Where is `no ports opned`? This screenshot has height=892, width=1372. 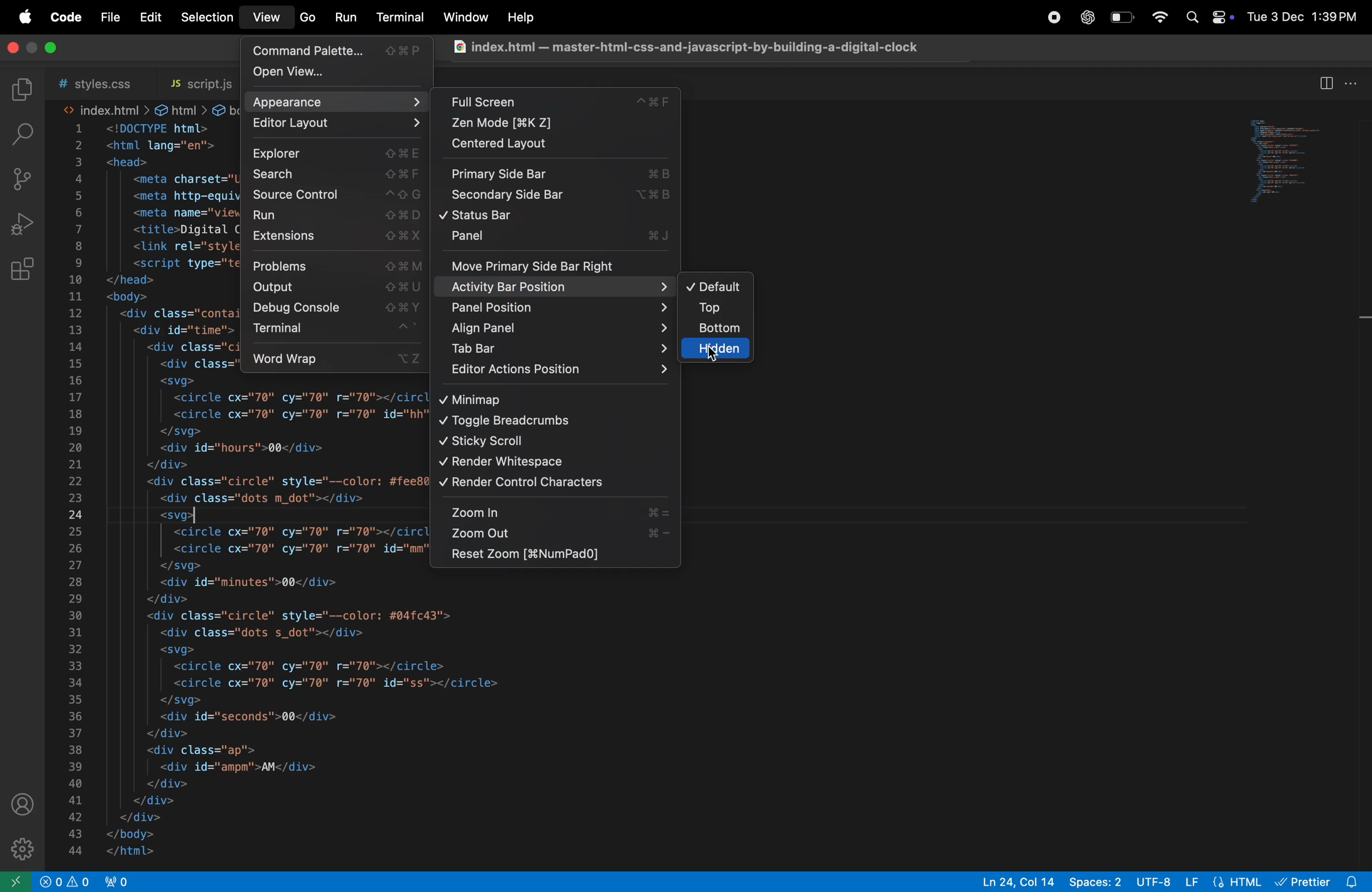
no ports opned is located at coordinates (101, 882).